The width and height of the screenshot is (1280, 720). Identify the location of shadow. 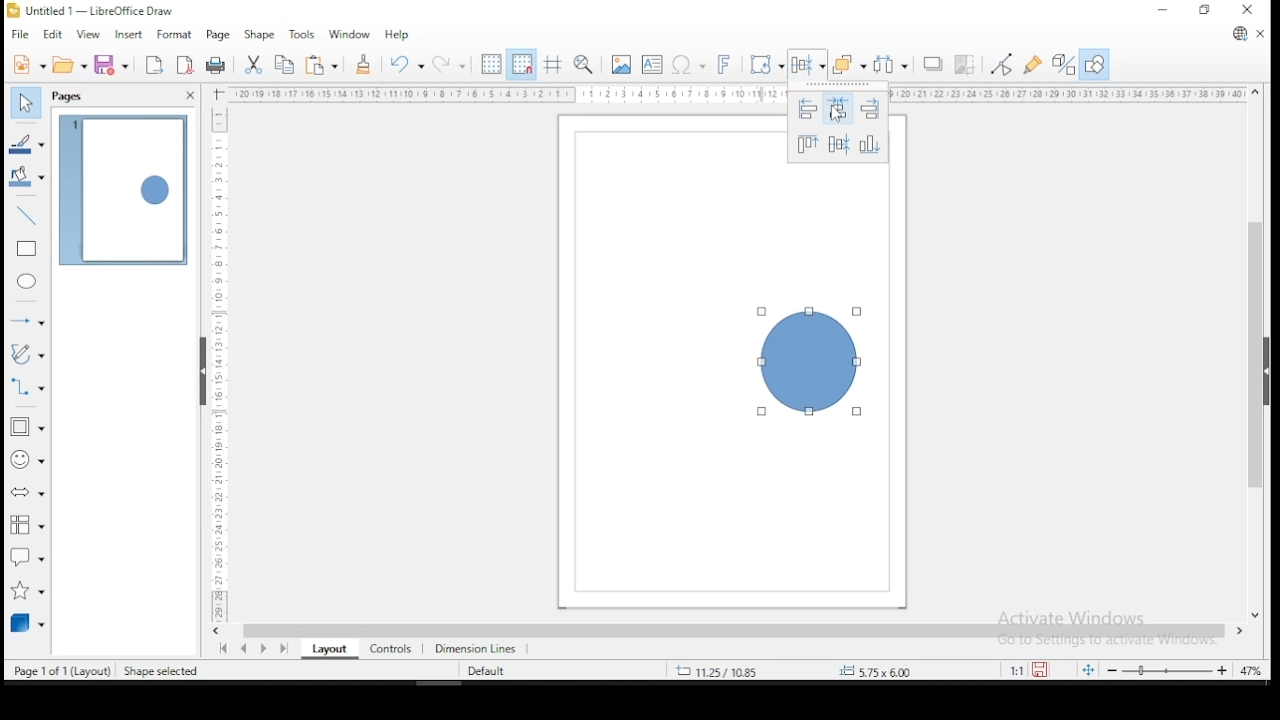
(933, 65).